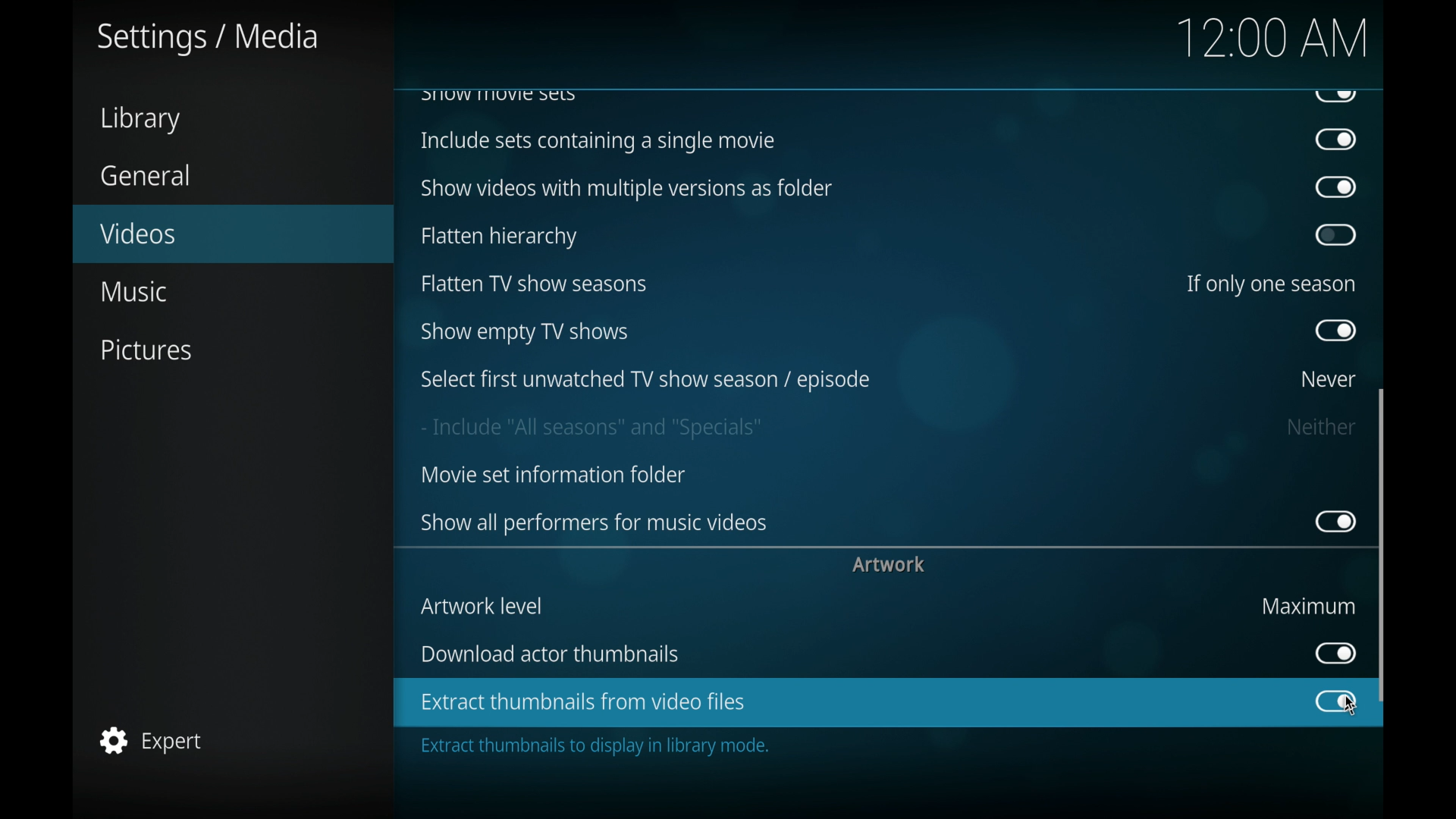 The height and width of the screenshot is (819, 1456). Describe the element at coordinates (550, 654) in the screenshot. I see `download actor thumbnails` at that location.